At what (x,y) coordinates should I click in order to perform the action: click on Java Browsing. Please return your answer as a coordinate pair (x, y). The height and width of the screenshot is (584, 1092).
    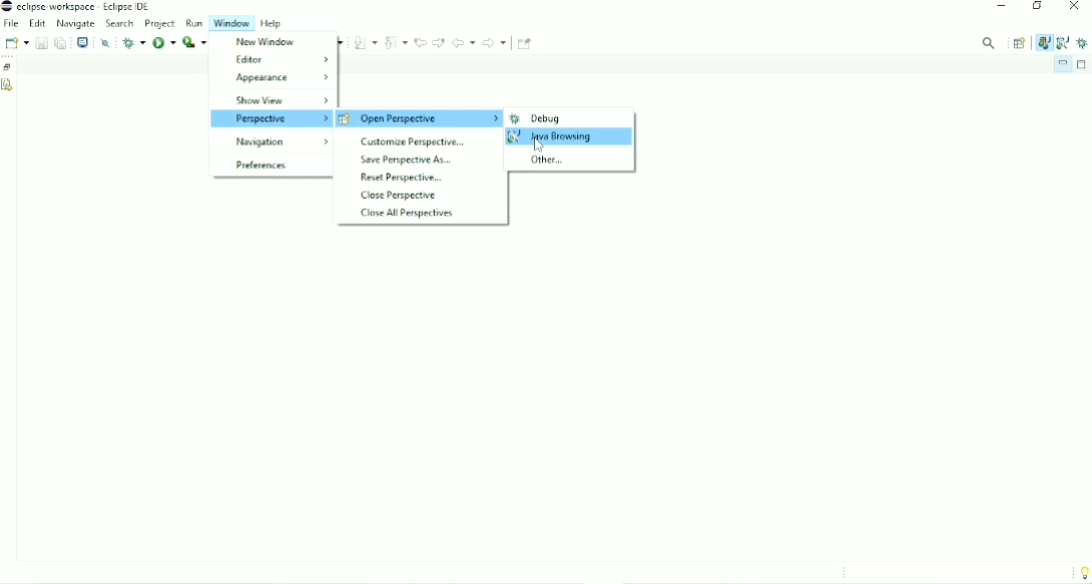
    Looking at the image, I should click on (550, 137).